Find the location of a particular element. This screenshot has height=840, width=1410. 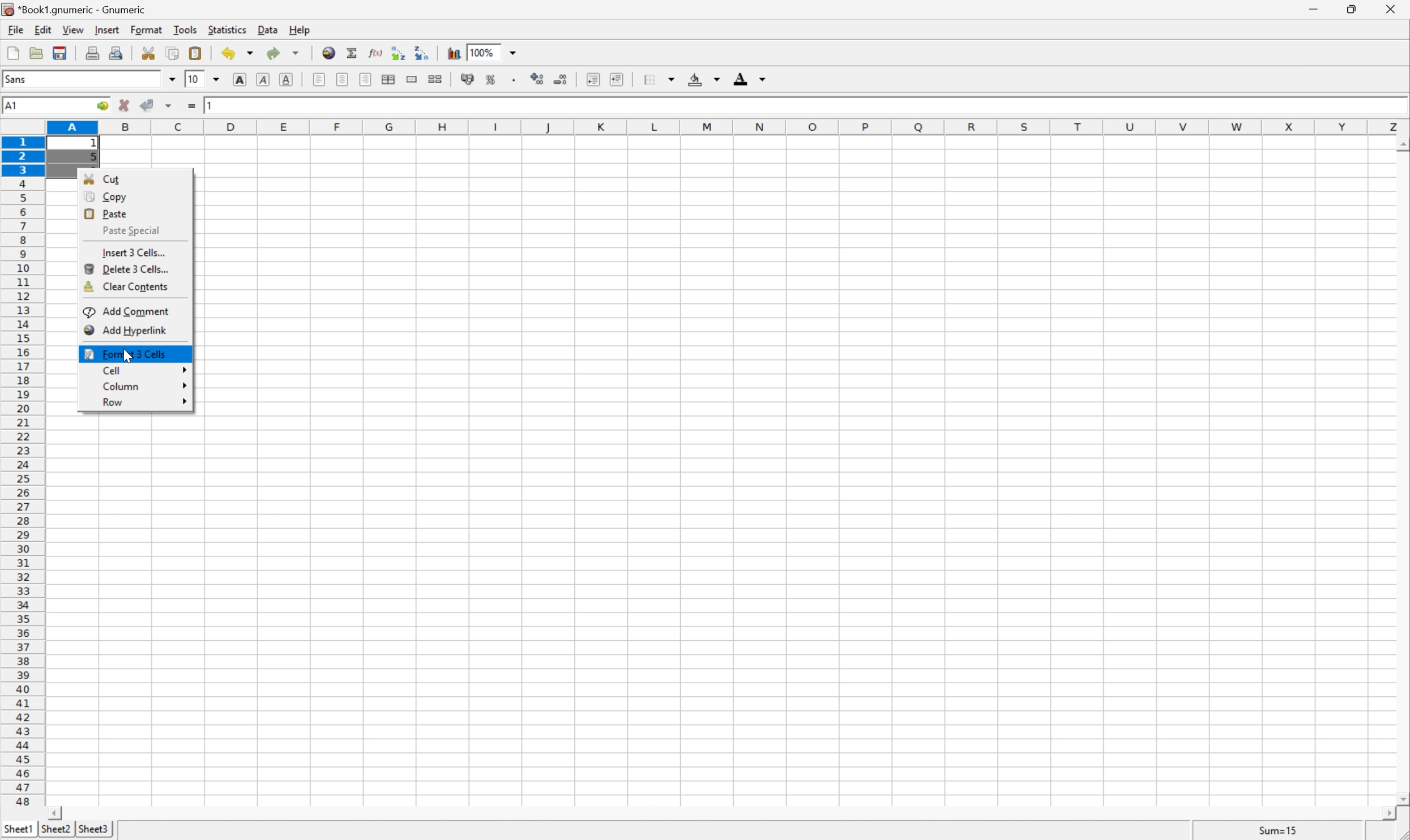

data is located at coordinates (269, 27).